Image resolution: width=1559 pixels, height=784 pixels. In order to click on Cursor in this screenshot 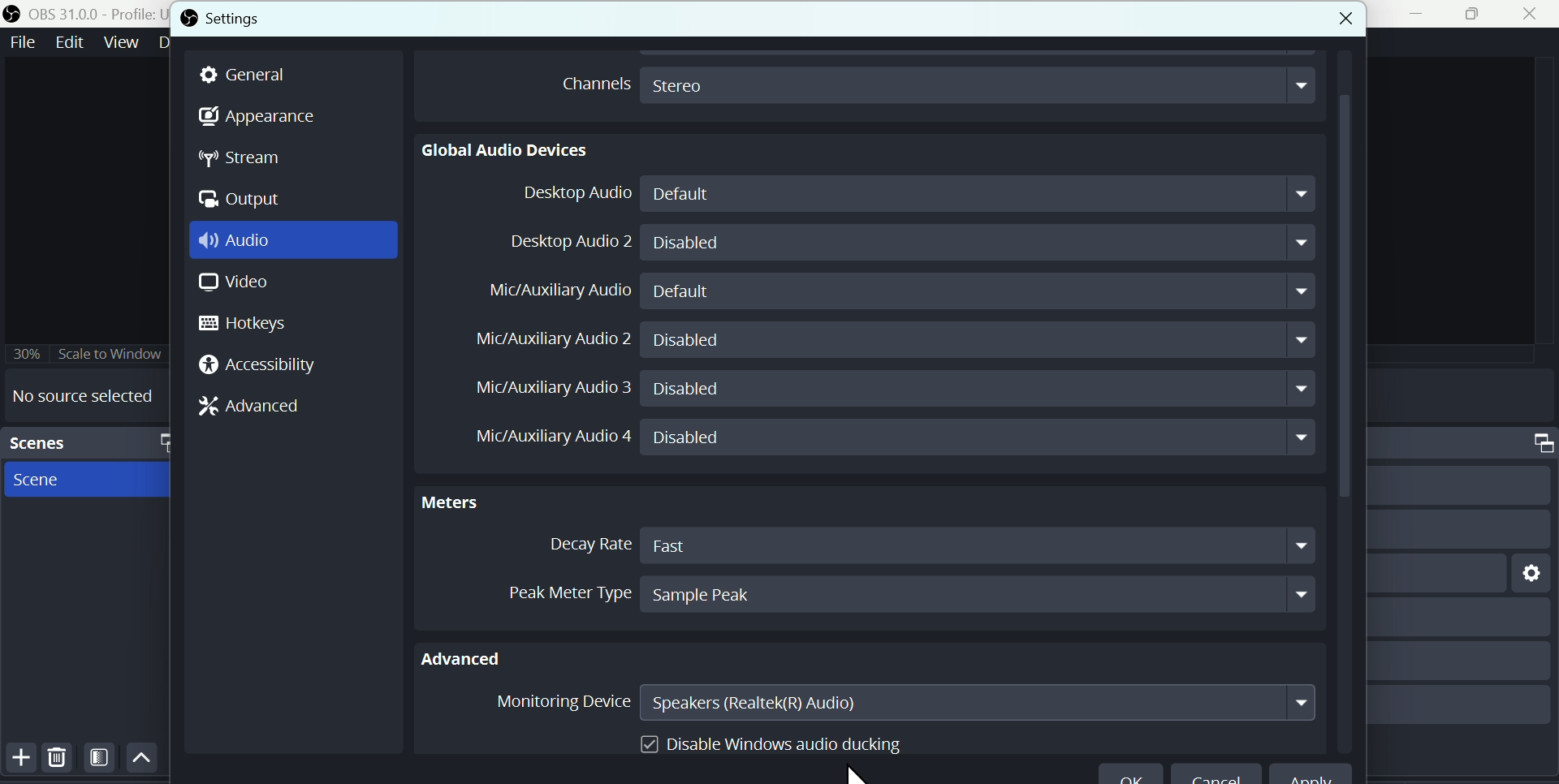, I will do `click(851, 772)`.